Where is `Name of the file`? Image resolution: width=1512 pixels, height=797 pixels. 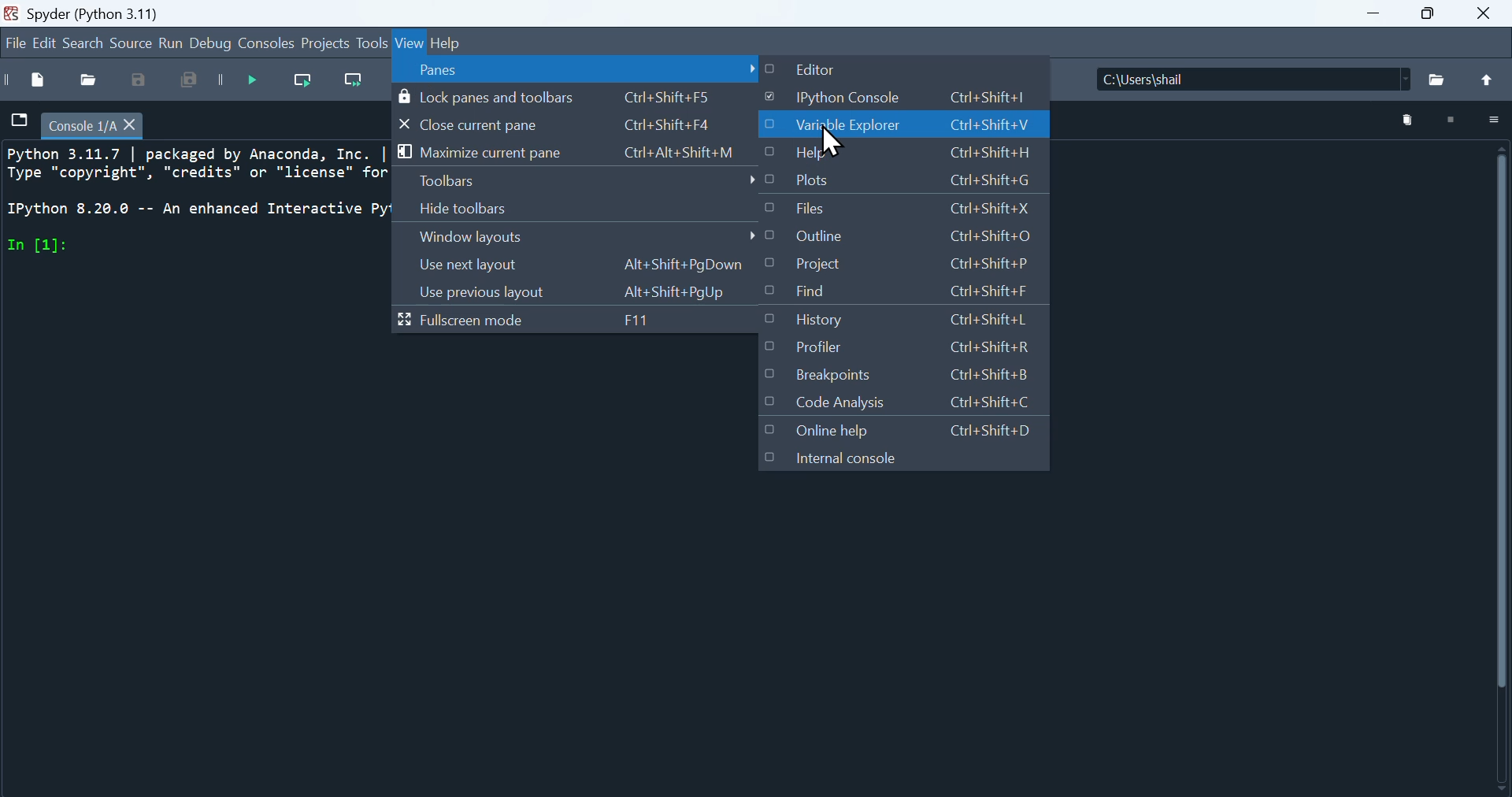 Name of the file is located at coordinates (1304, 77).